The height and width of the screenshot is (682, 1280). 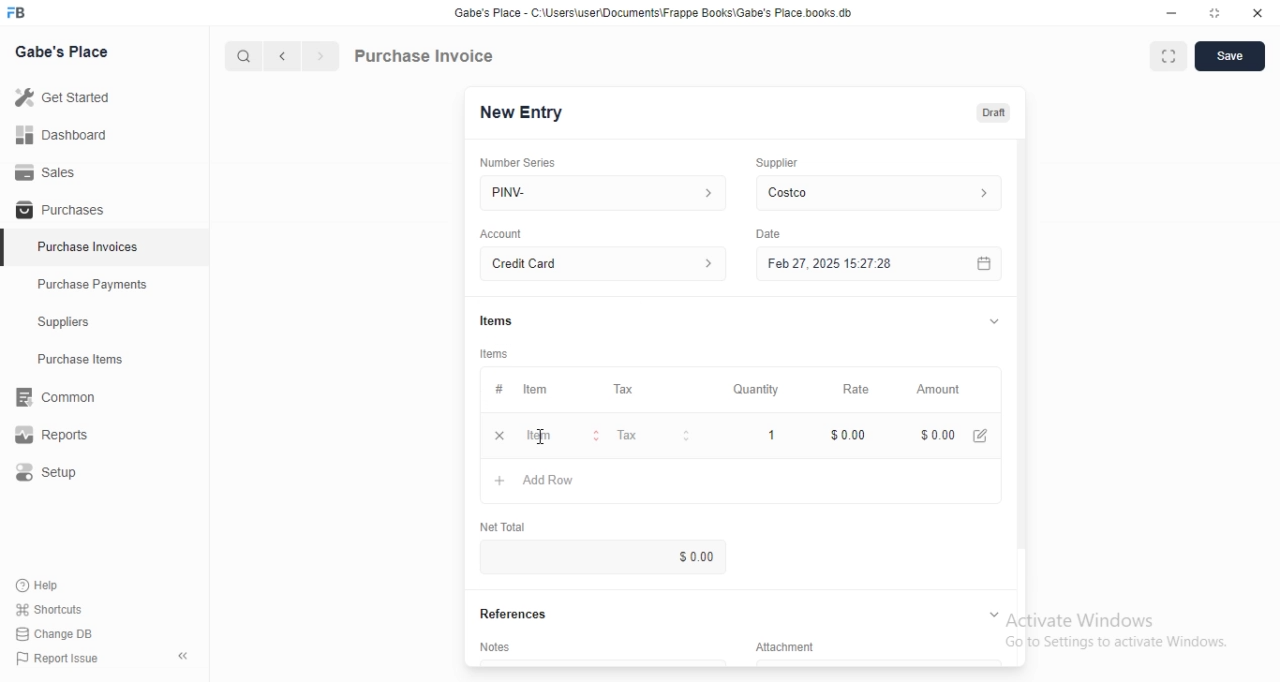 What do you see at coordinates (603, 263) in the screenshot?
I see `Credit Card` at bounding box center [603, 263].